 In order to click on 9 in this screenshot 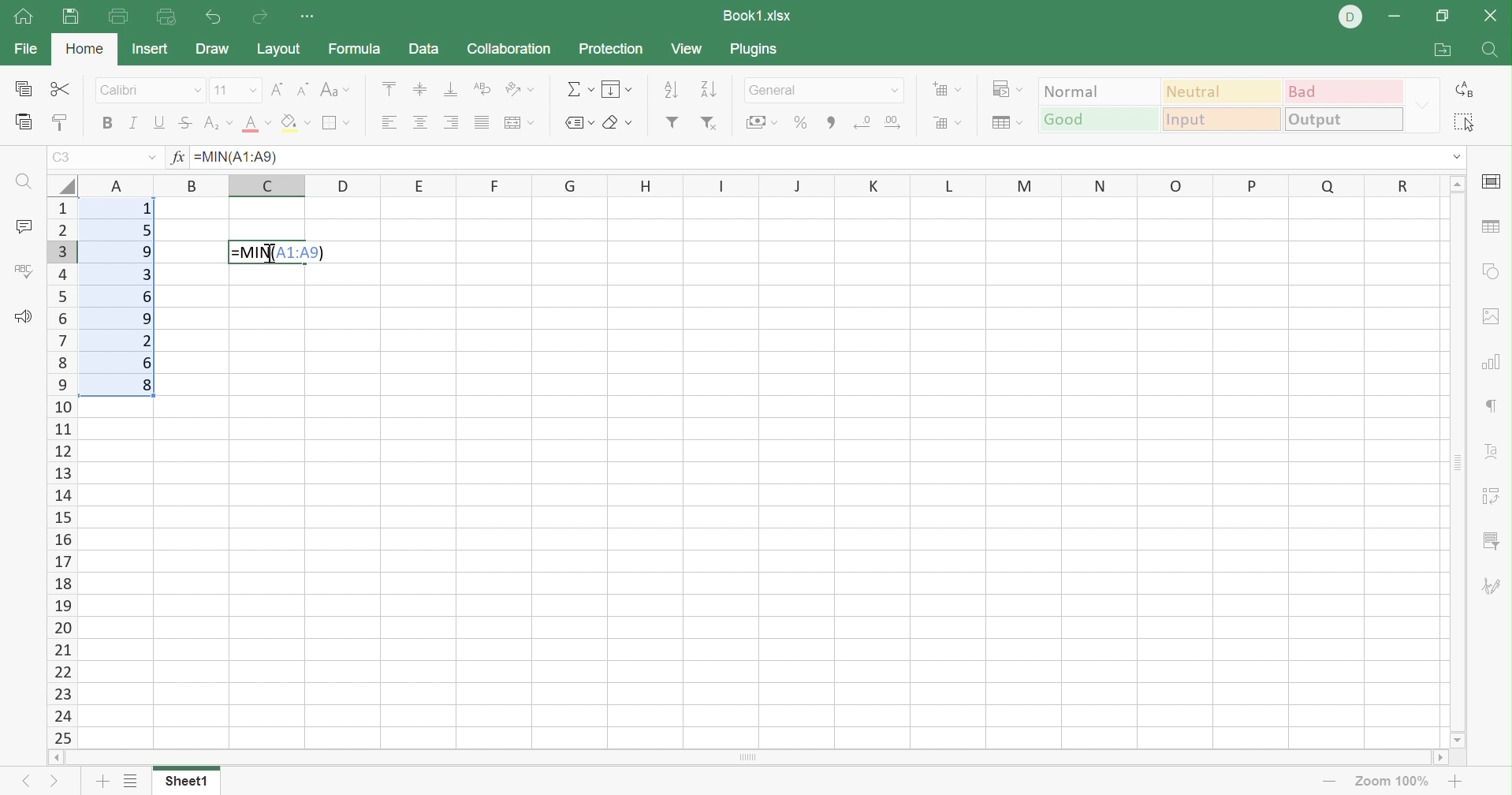, I will do `click(140, 319)`.